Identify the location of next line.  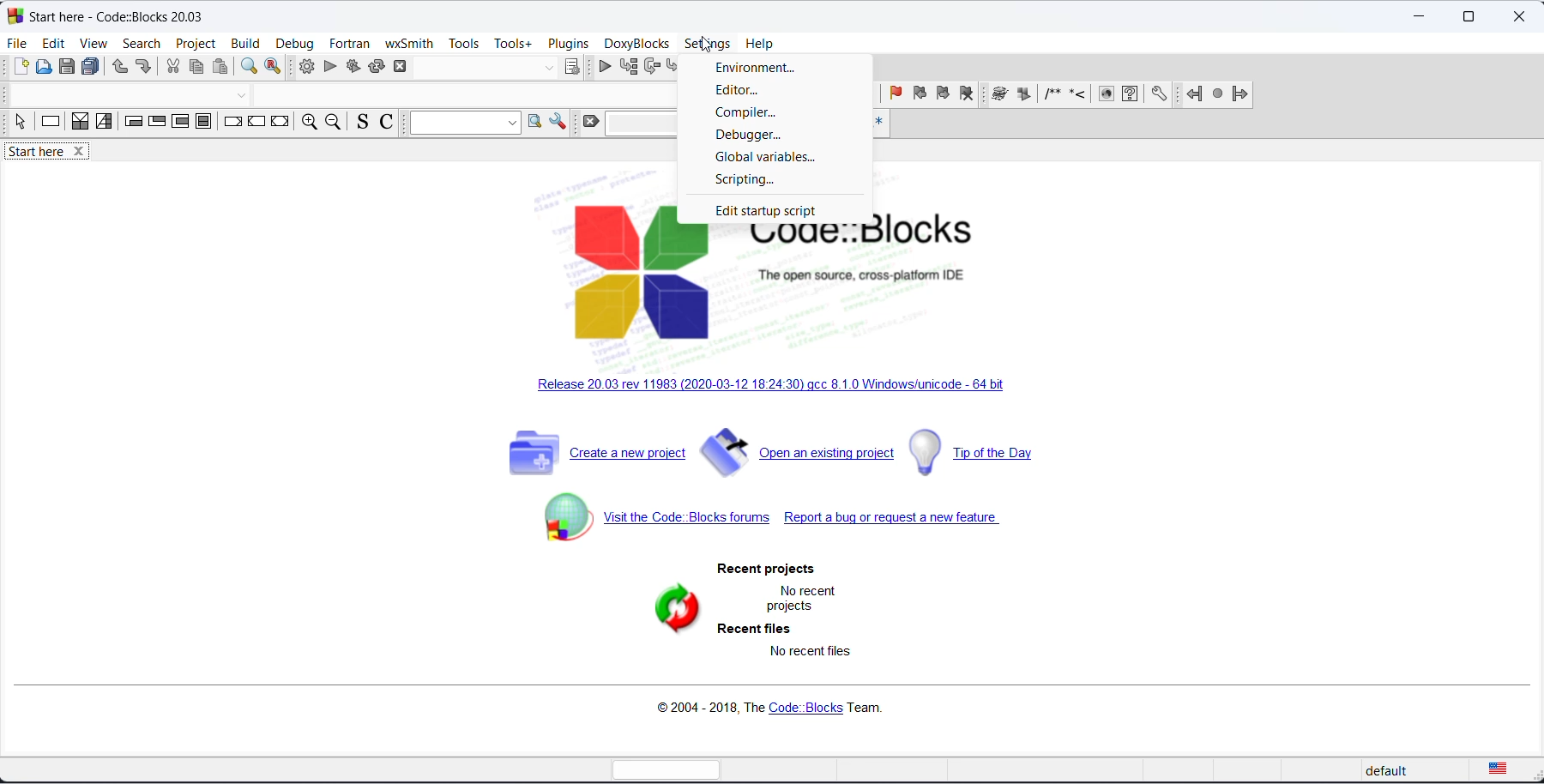
(651, 66).